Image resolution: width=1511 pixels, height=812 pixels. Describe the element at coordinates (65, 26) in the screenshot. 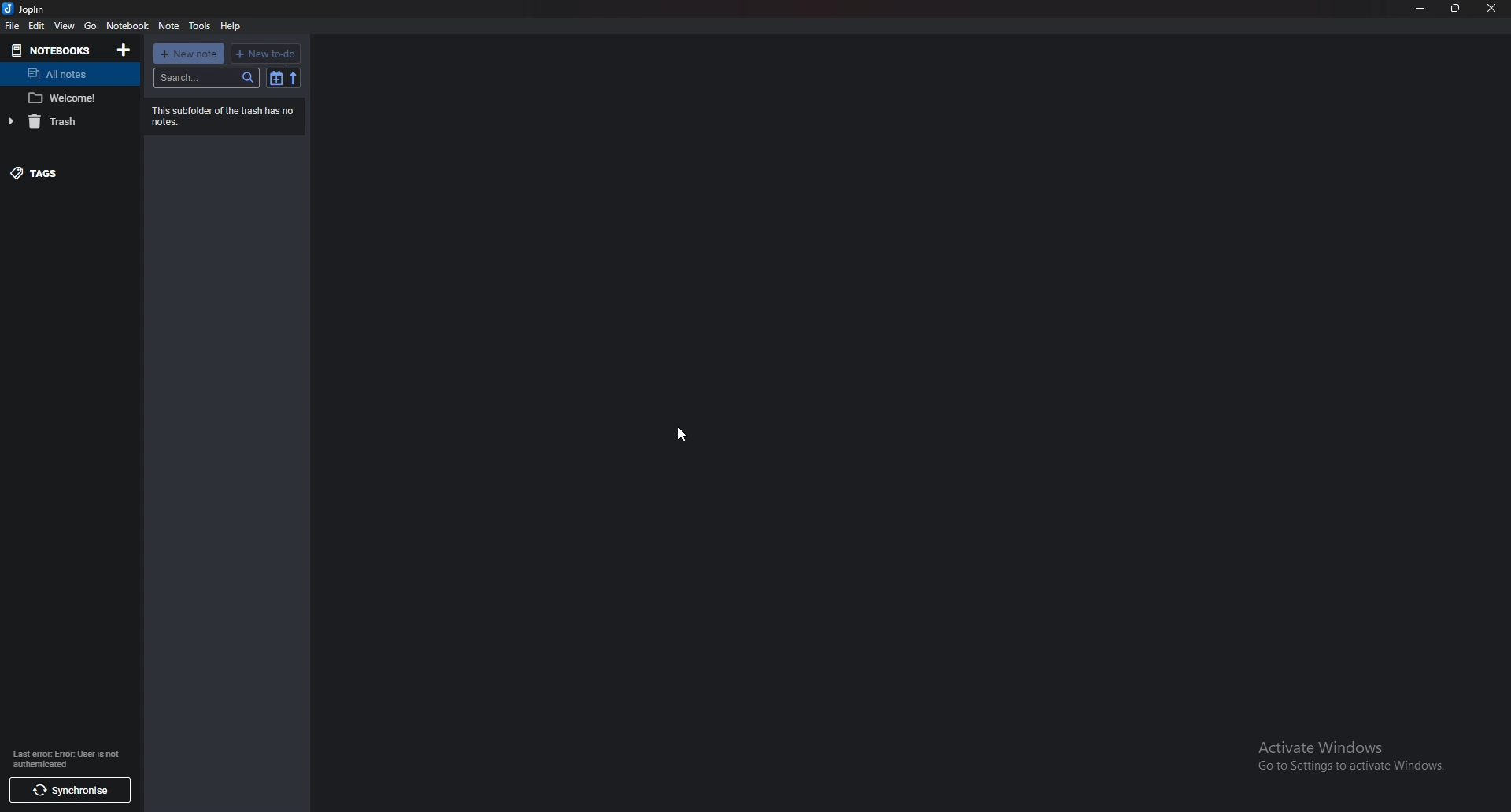

I see `view` at that location.